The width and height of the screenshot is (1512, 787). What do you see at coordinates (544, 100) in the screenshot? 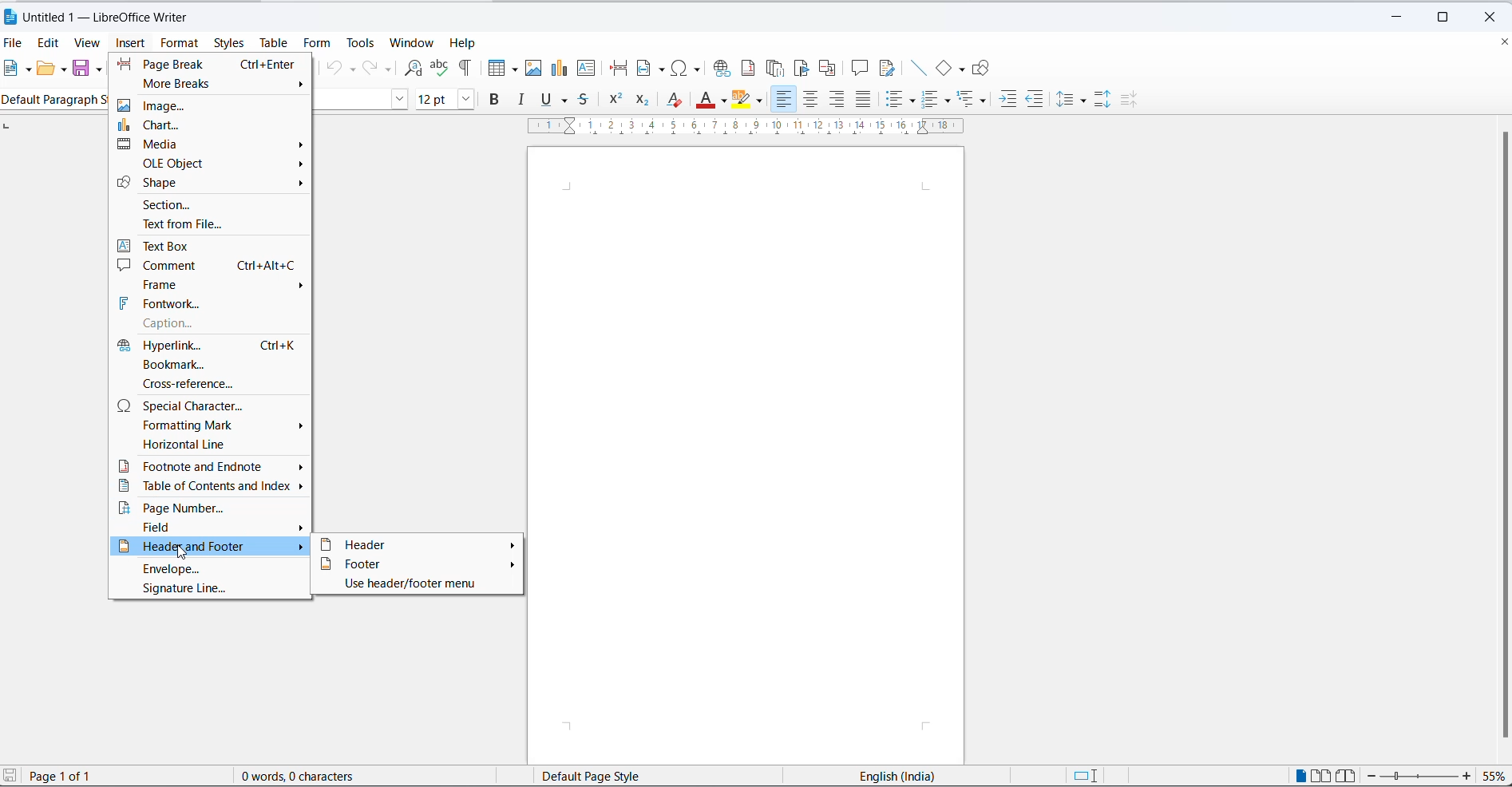
I see `underline` at bounding box center [544, 100].